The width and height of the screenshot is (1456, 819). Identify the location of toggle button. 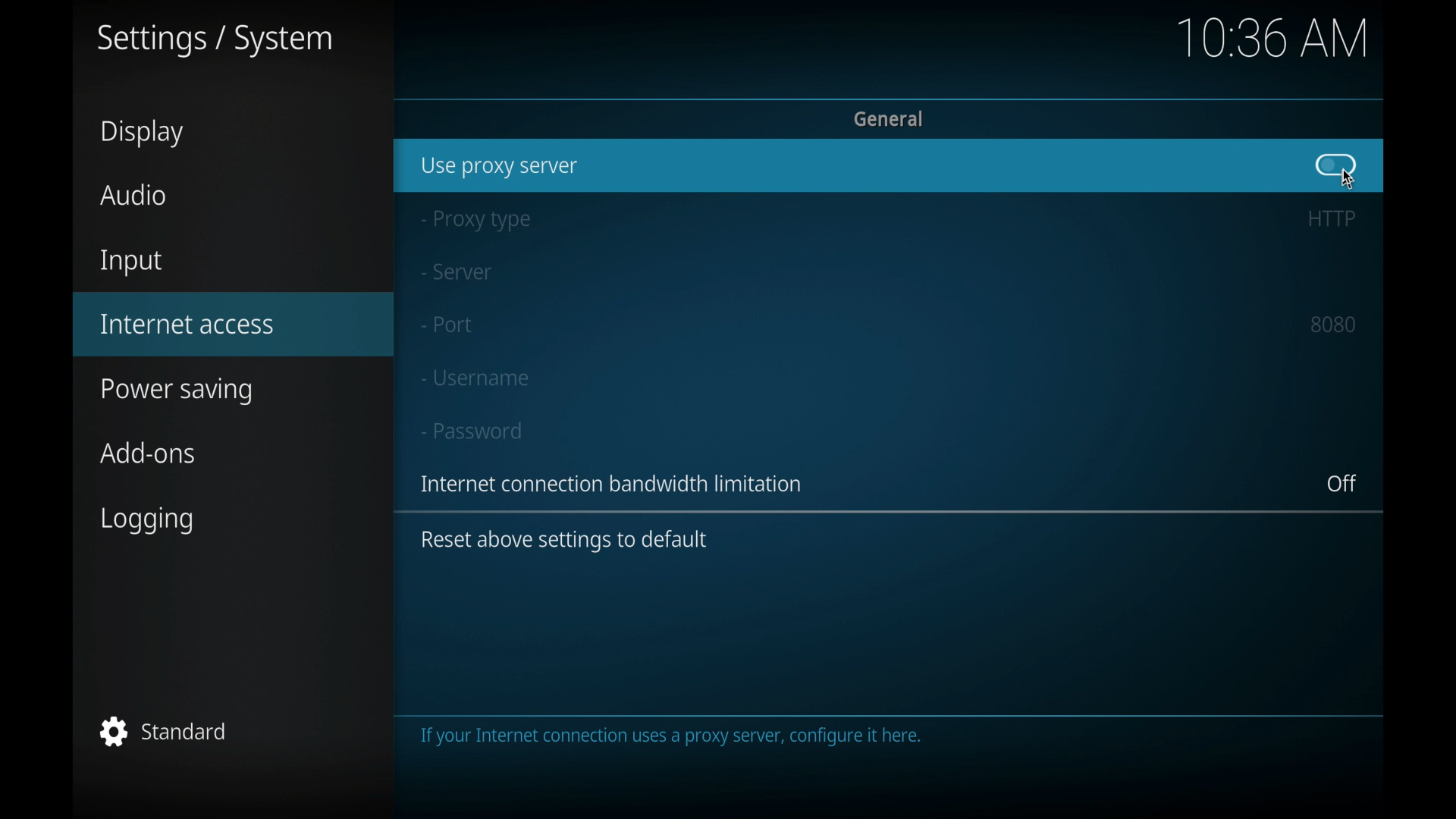
(1336, 165).